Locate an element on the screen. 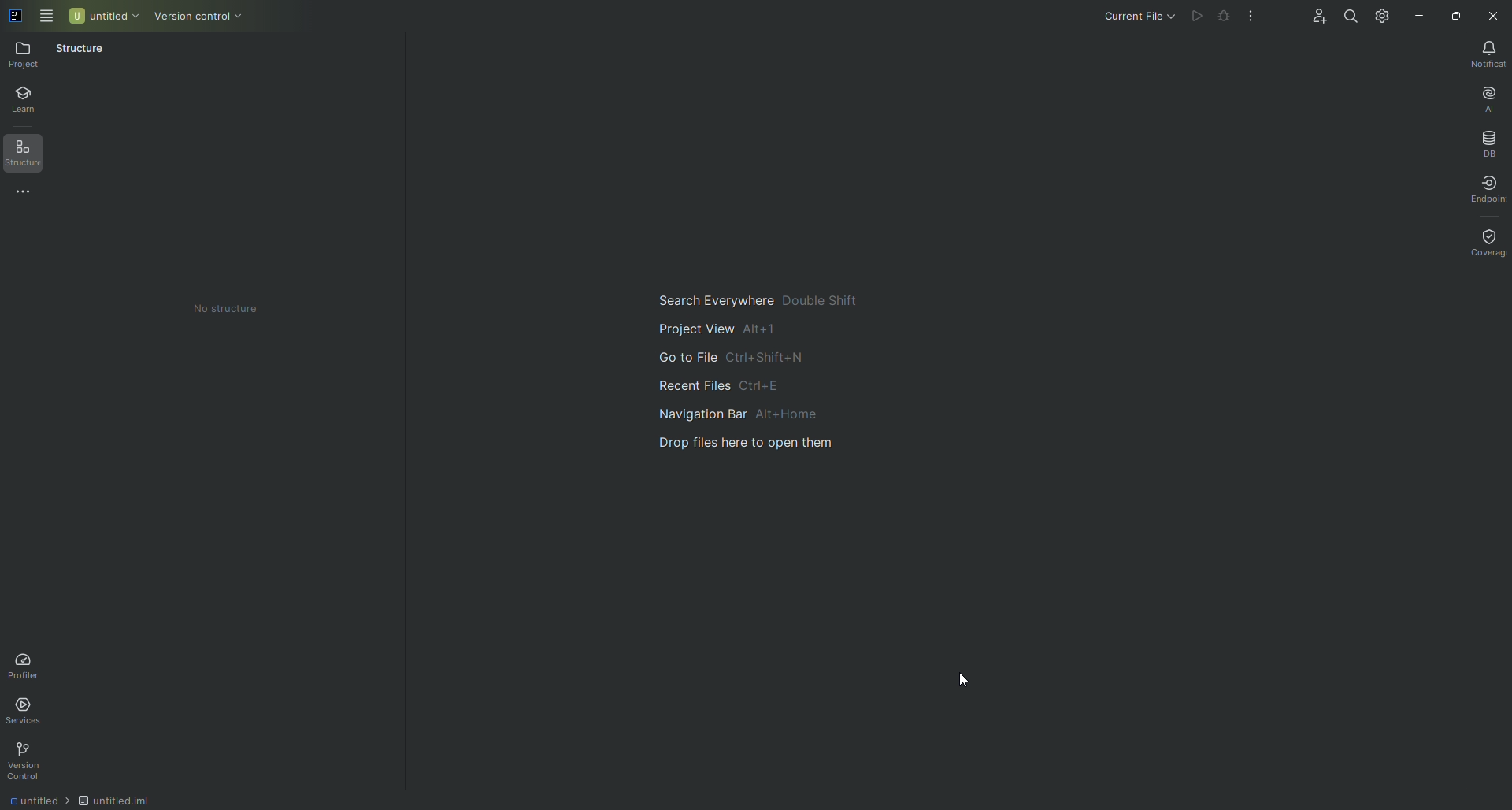  Untitled is located at coordinates (105, 15).